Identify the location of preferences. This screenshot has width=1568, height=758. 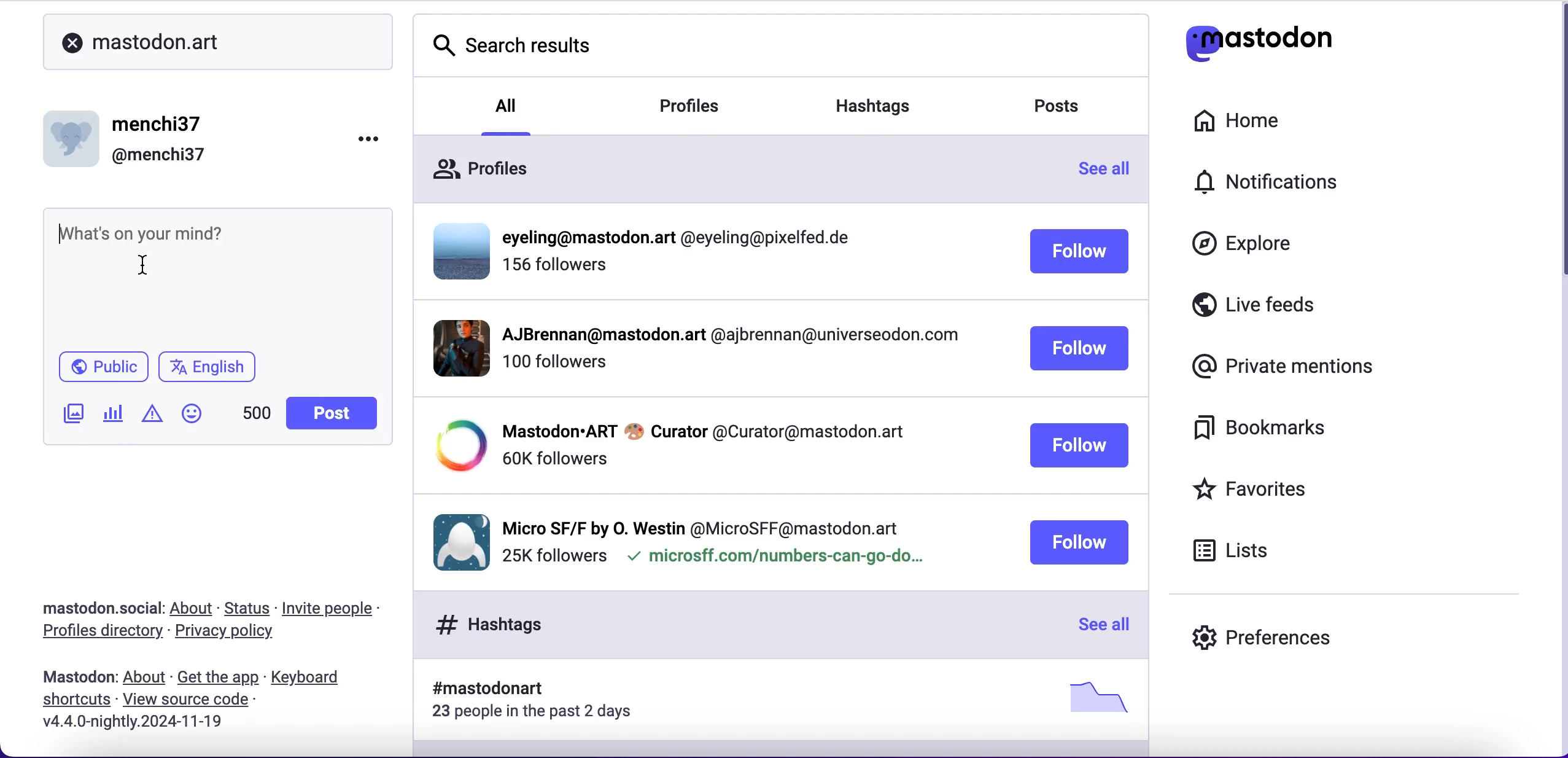
(1263, 628).